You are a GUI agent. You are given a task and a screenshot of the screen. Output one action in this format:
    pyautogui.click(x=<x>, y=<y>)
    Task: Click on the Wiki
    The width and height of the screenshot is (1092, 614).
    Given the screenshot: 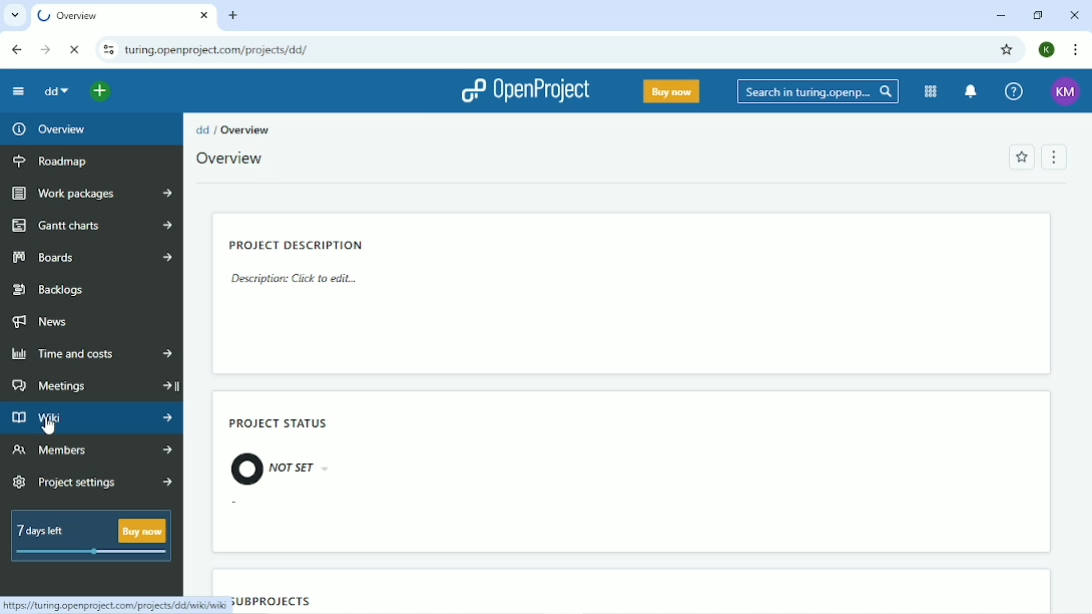 What is the action you would take?
    pyautogui.click(x=79, y=418)
    